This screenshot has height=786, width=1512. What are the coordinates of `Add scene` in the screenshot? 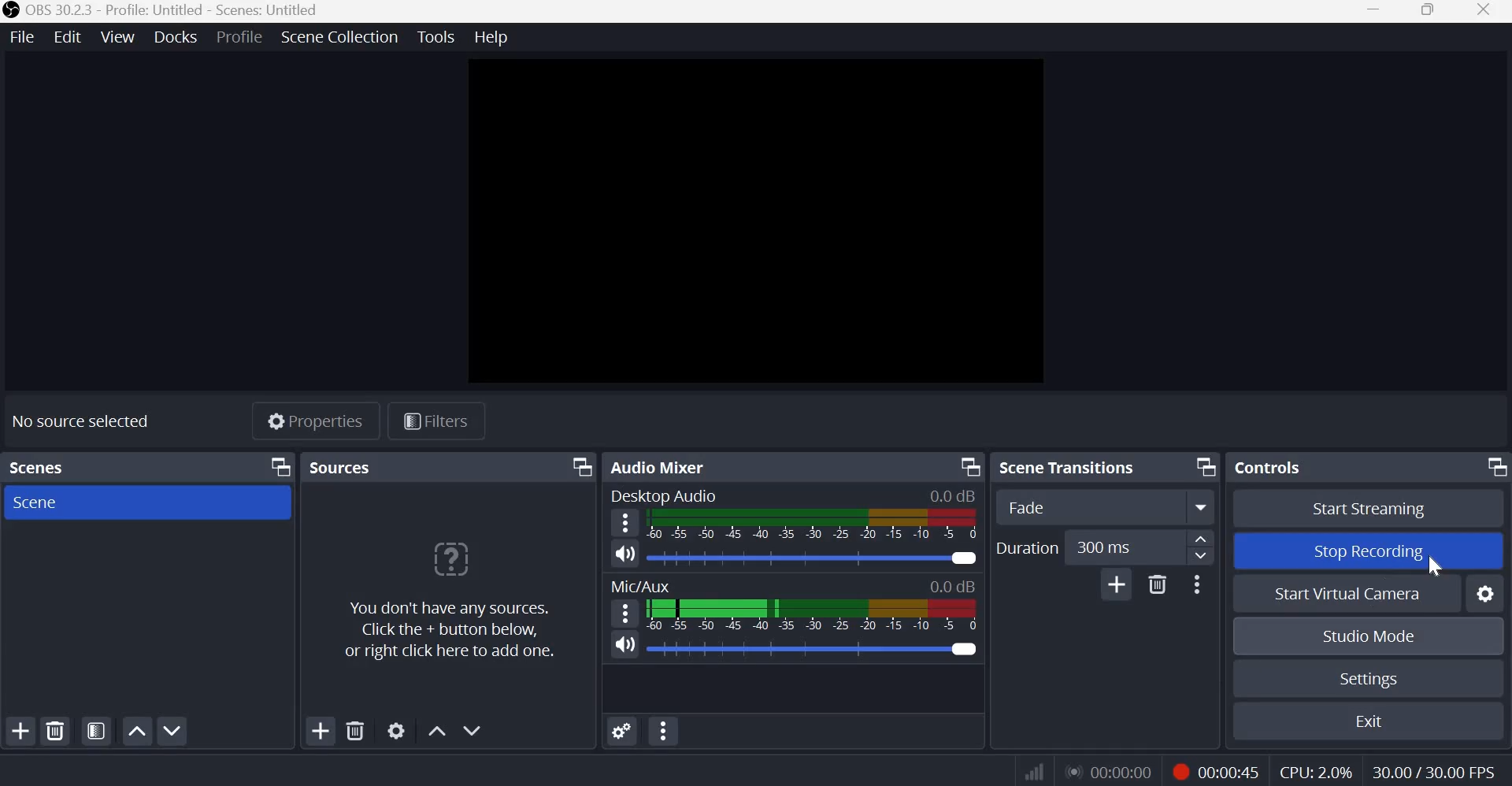 It's located at (22, 731).